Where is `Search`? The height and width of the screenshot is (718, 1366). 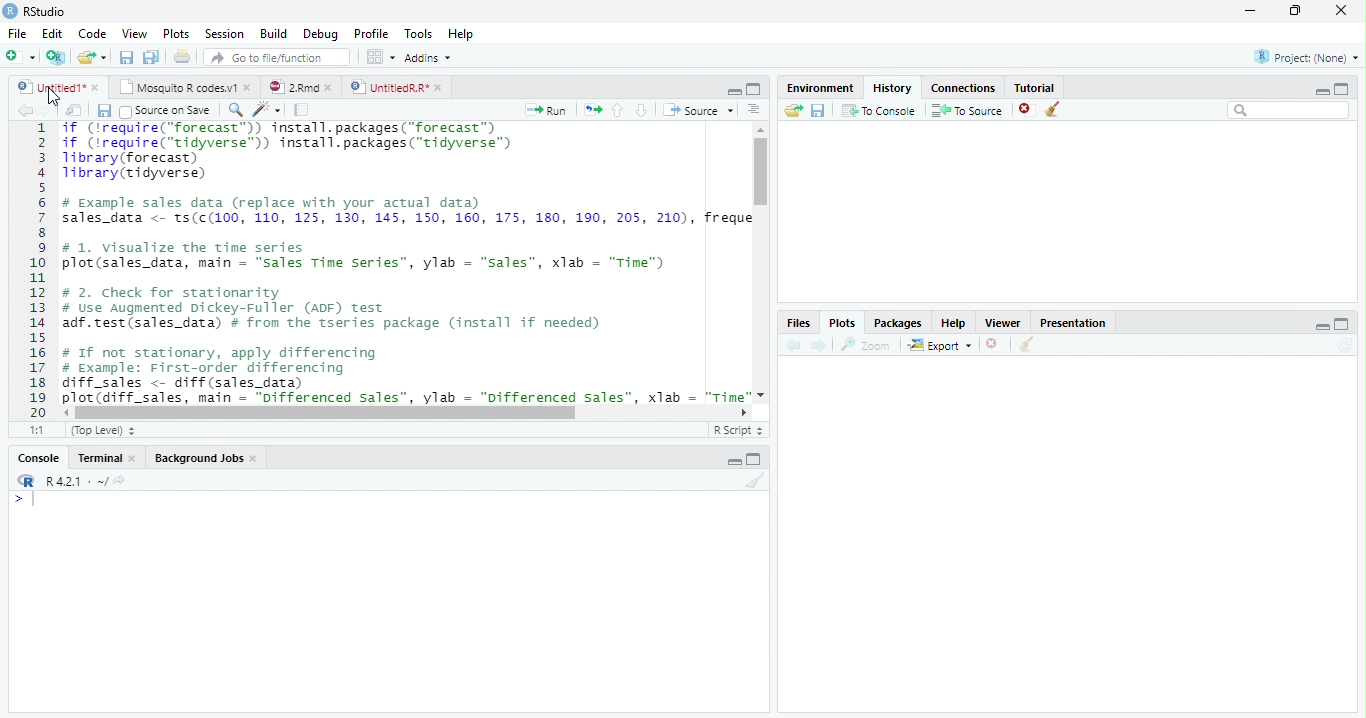
Search is located at coordinates (1289, 111).